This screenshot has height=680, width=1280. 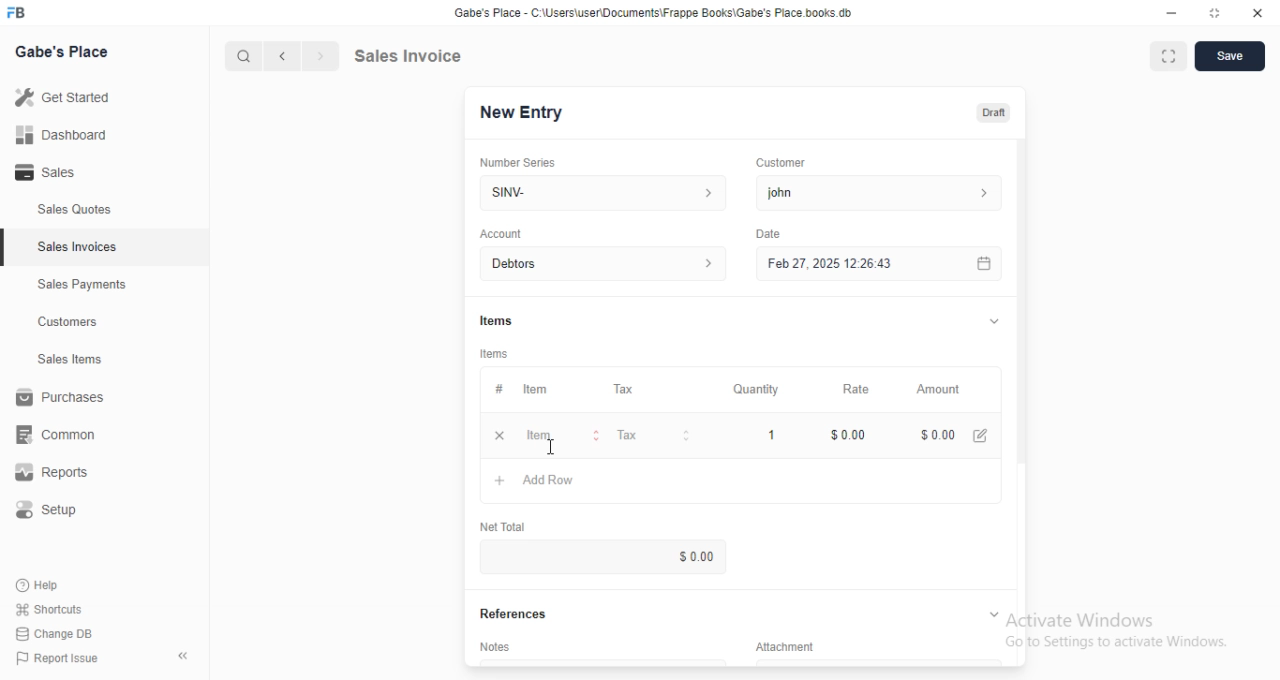 I want to click on Gabe's Place, so click(x=65, y=52).